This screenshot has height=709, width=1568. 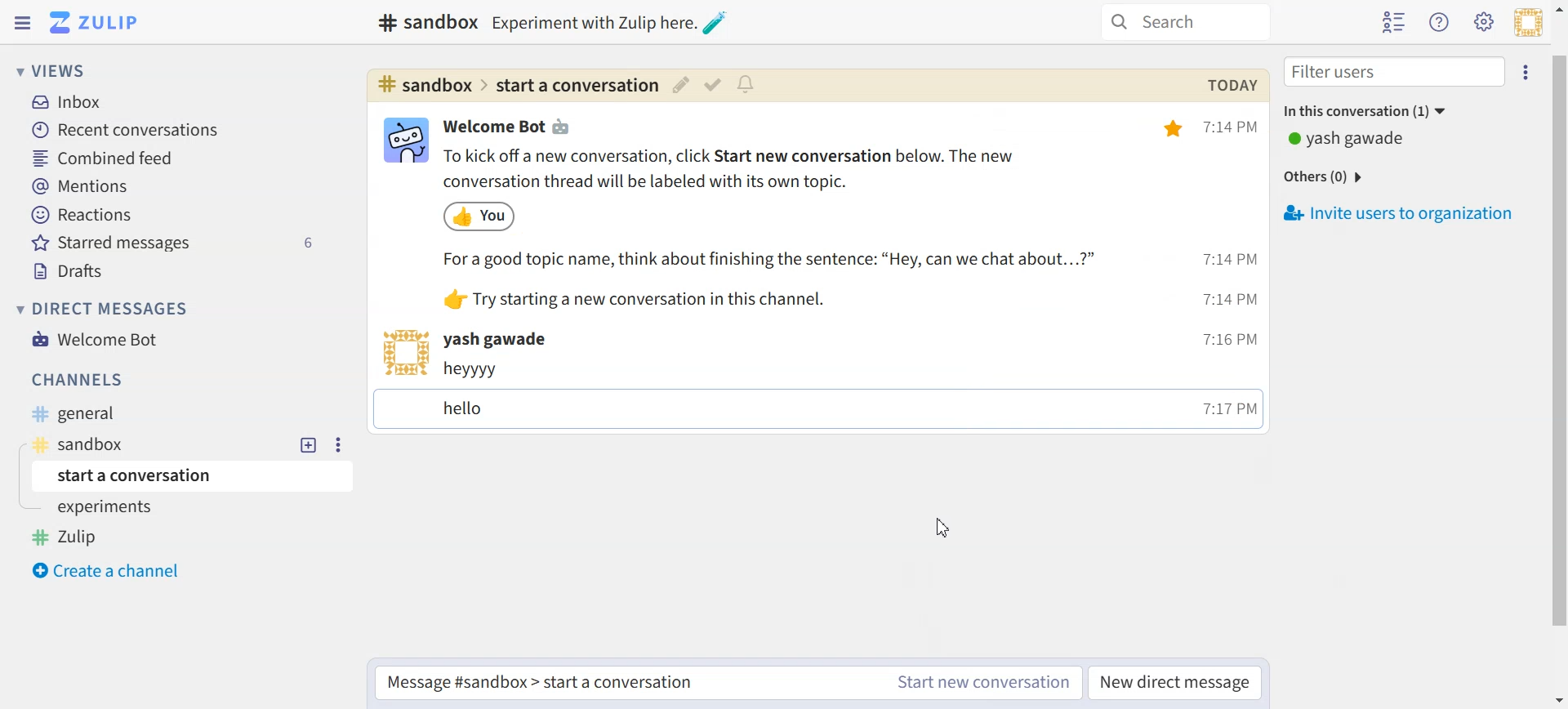 I want to click on Help menu, so click(x=1440, y=21).